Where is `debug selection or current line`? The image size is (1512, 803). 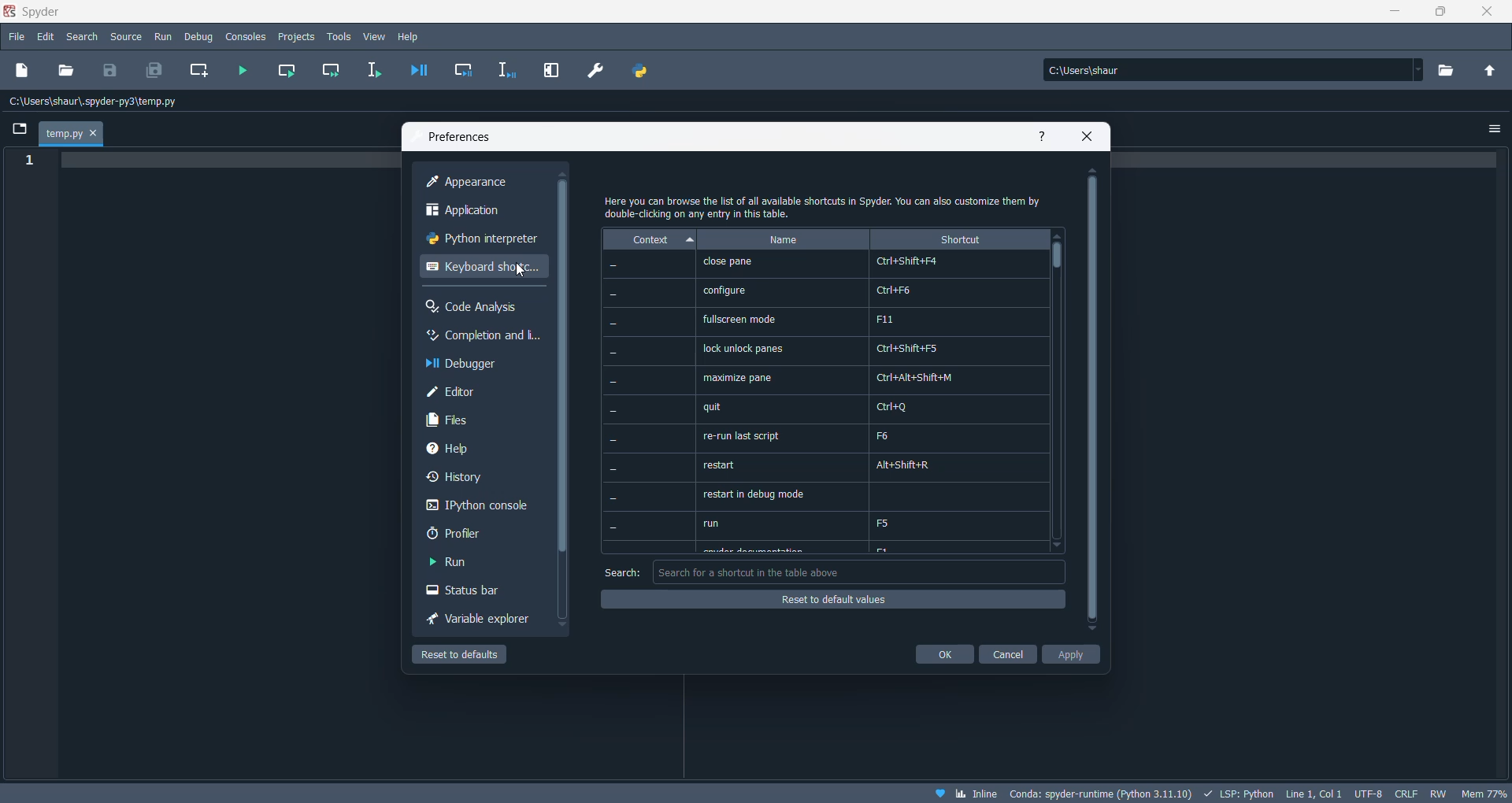
debug selection or current line is located at coordinates (508, 72).